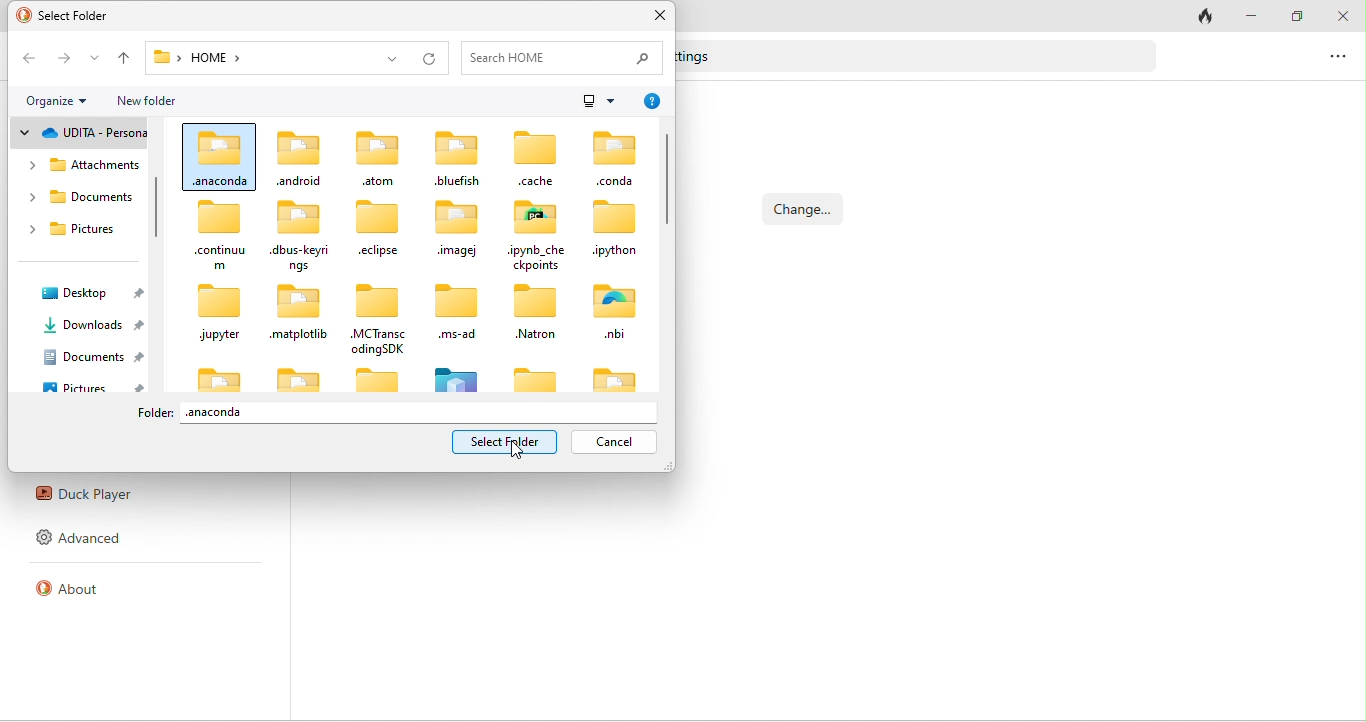 Image resolution: width=1366 pixels, height=722 pixels. What do you see at coordinates (531, 158) in the screenshot?
I see `.cache` at bounding box center [531, 158].